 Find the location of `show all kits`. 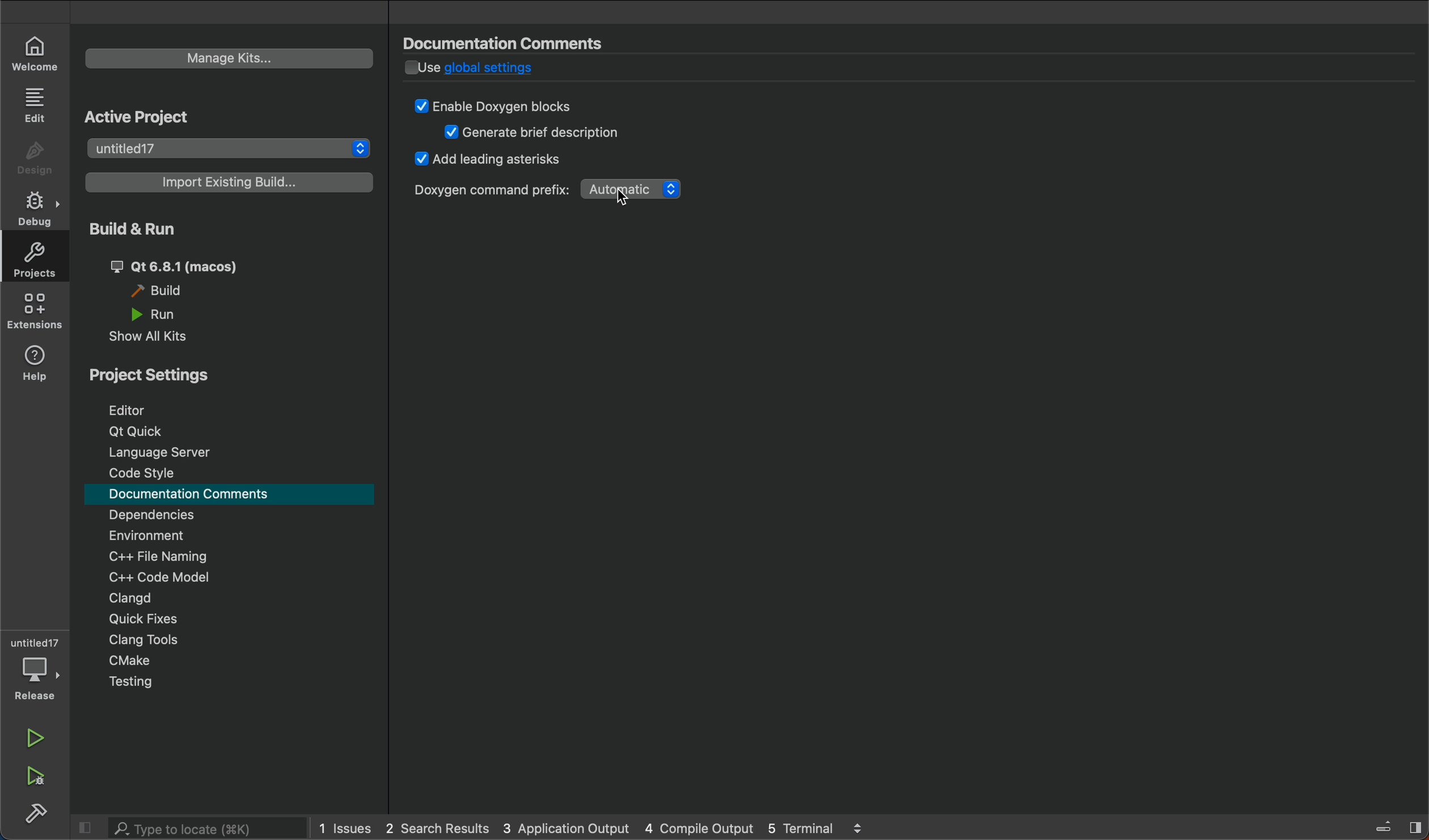

show all kits is located at coordinates (157, 338).